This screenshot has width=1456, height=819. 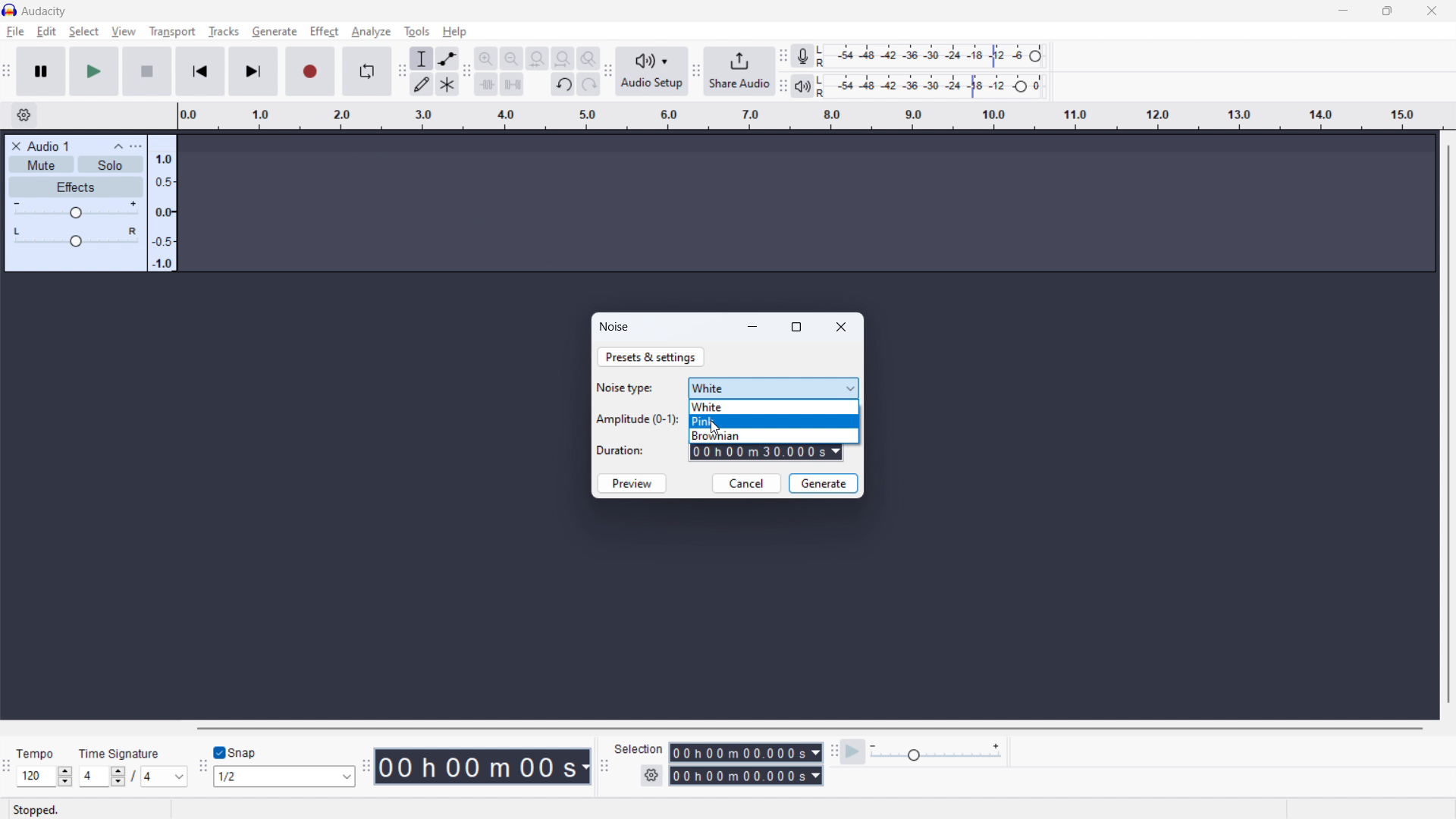 What do you see at coordinates (615, 327) in the screenshot?
I see `generate noise dialogbox` at bounding box center [615, 327].